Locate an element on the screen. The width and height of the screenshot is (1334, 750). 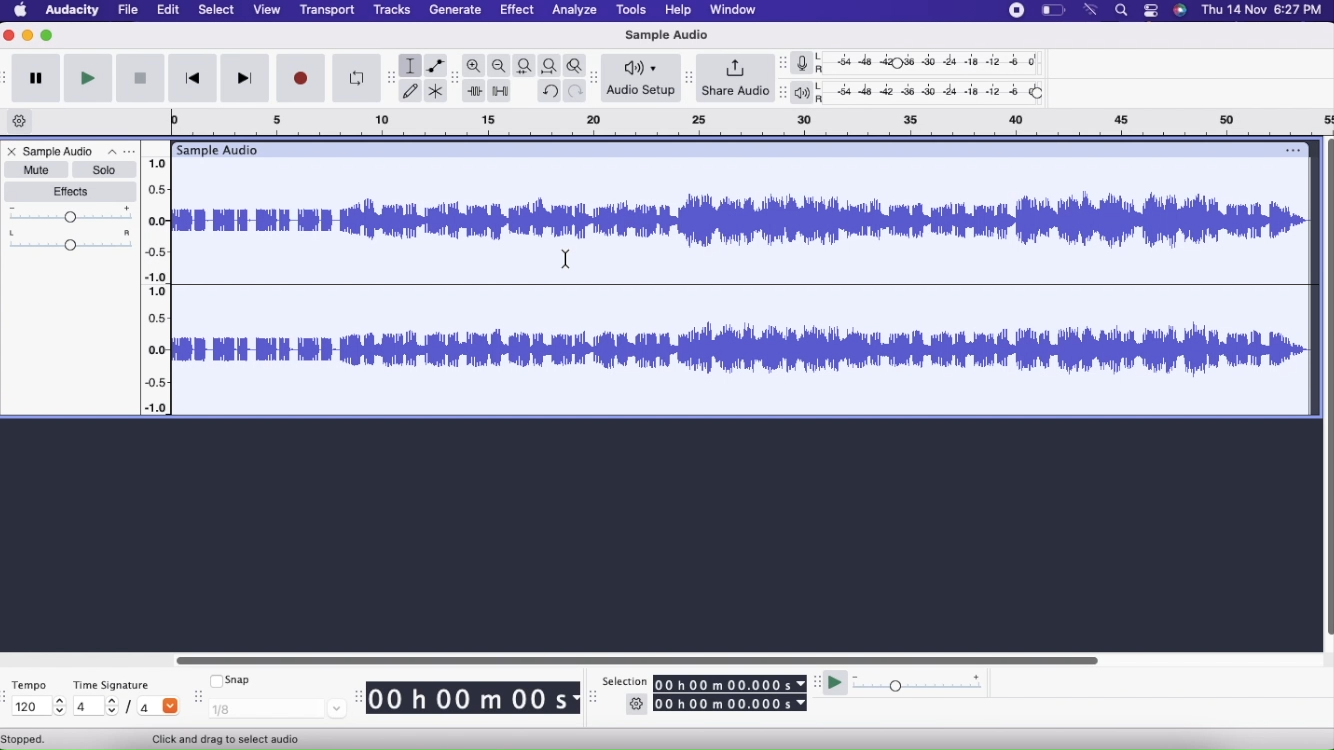
Home is located at coordinates (20, 11).